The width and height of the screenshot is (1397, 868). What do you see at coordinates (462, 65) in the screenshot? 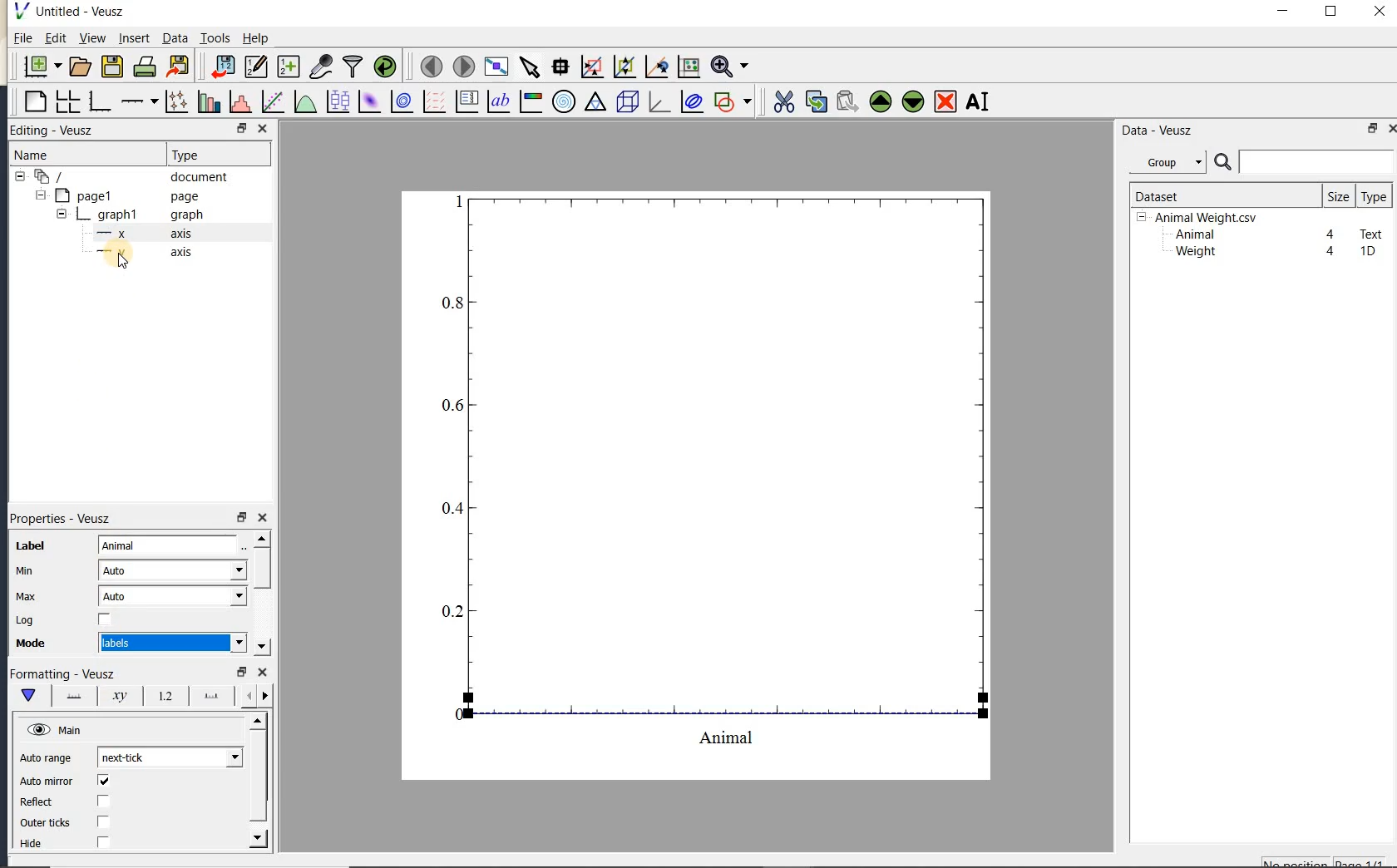
I see `move to the next page` at bounding box center [462, 65].